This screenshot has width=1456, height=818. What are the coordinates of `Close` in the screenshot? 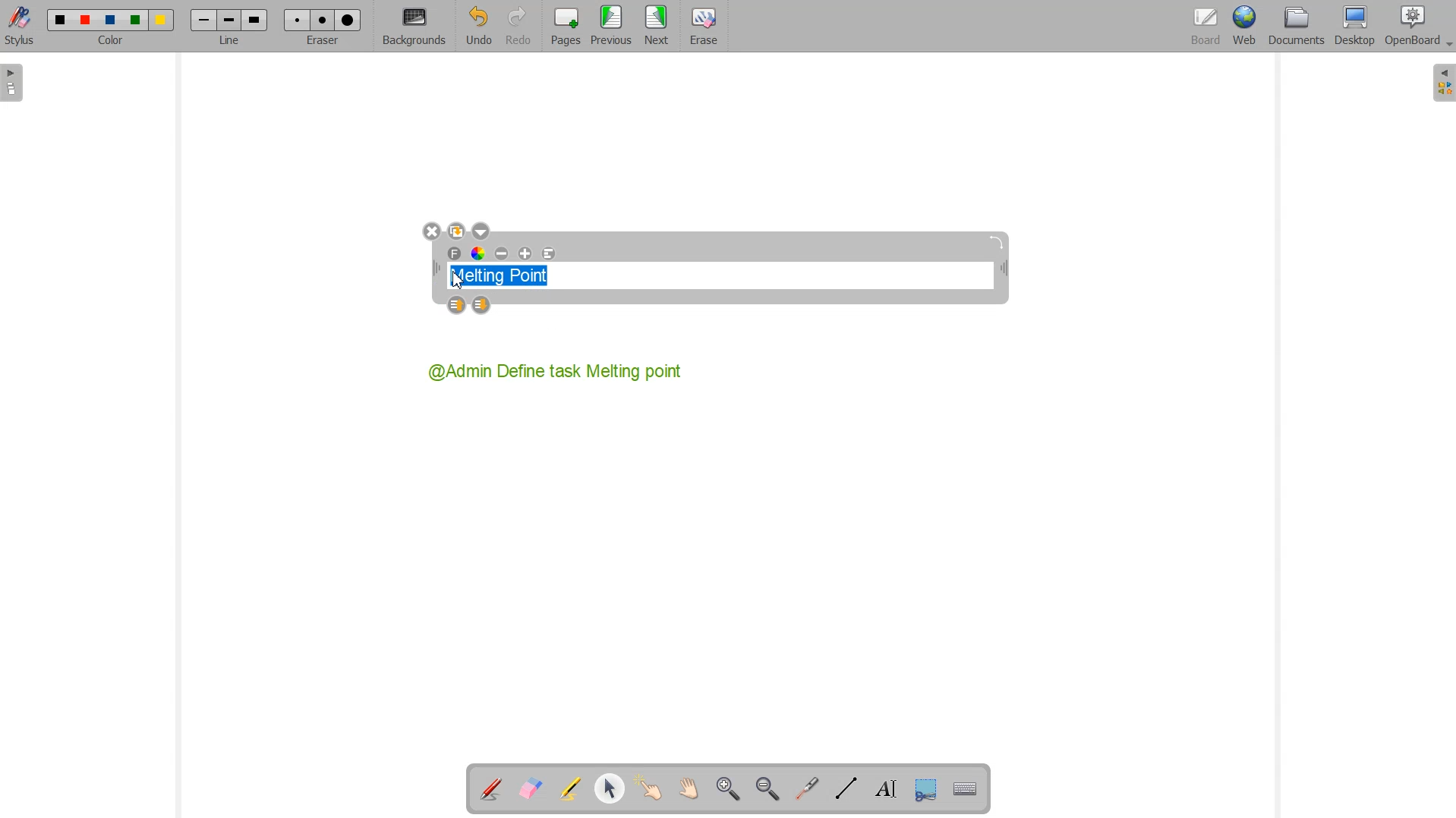 It's located at (431, 232).